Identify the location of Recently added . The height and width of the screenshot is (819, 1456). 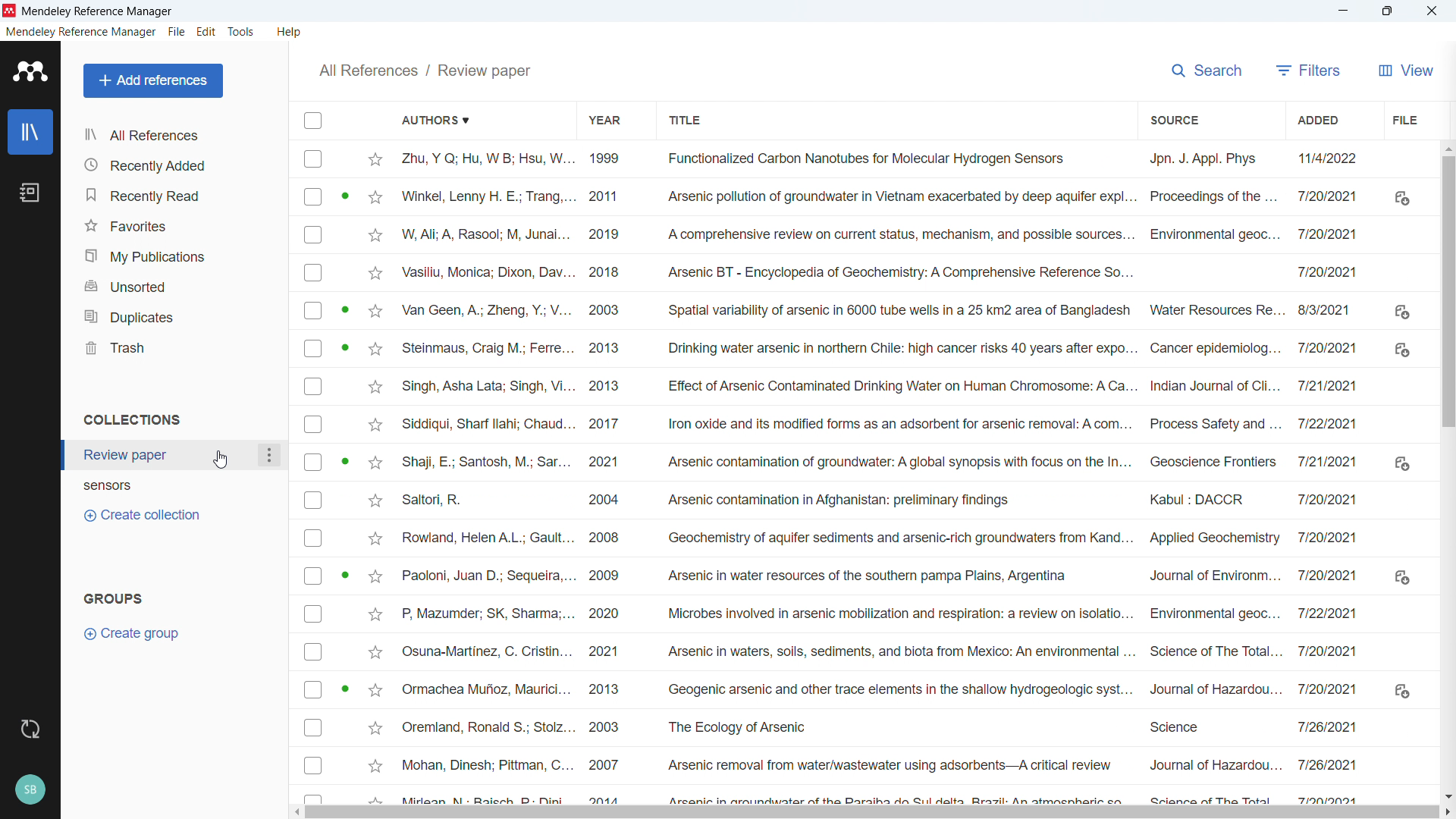
(178, 164).